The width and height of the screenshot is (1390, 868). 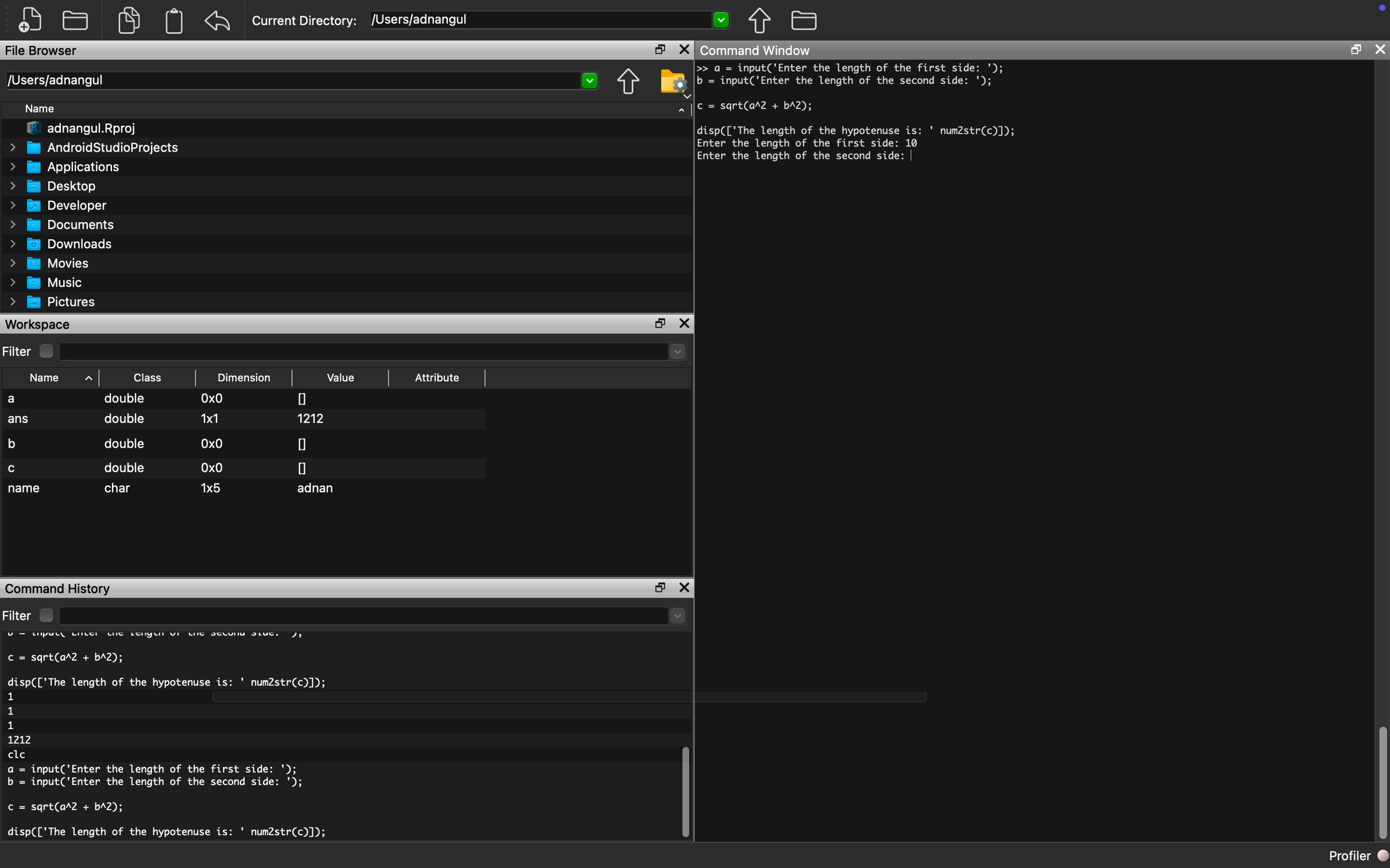 I want to click on double, so click(x=125, y=468).